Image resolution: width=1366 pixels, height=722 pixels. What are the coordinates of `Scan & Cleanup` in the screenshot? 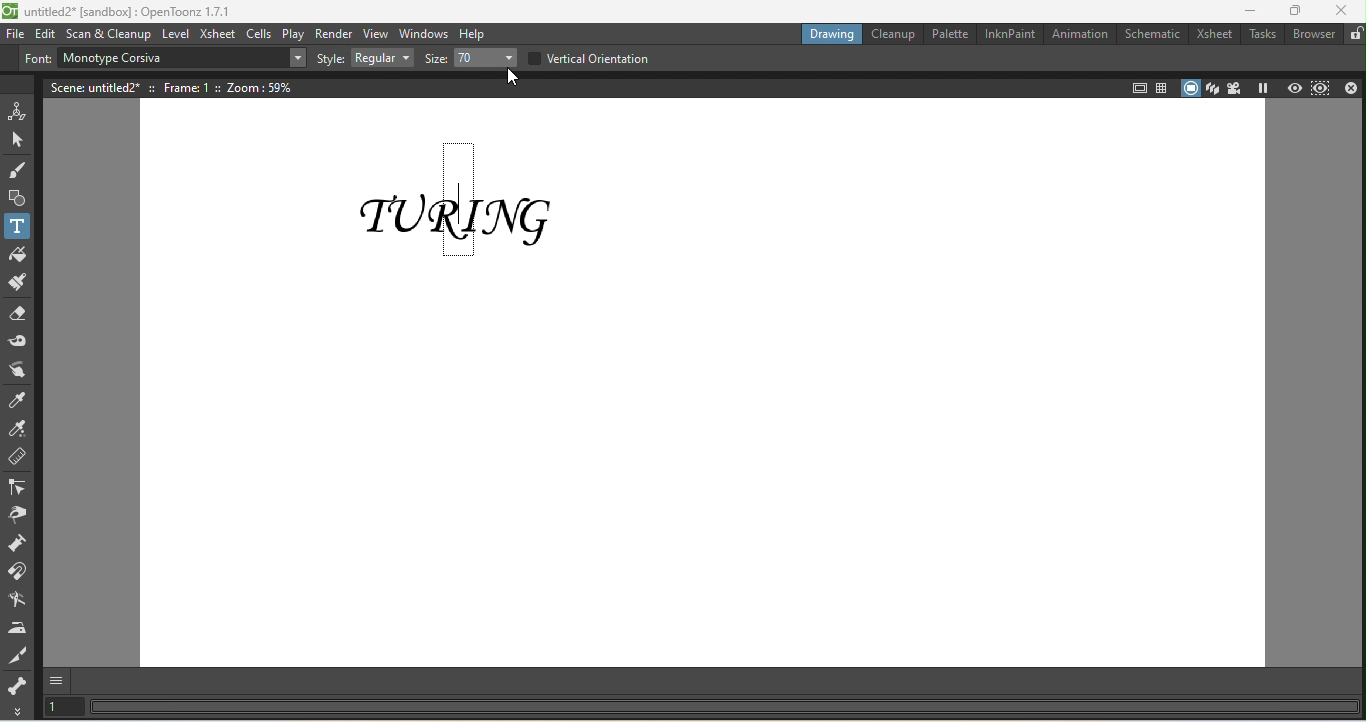 It's located at (110, 32).